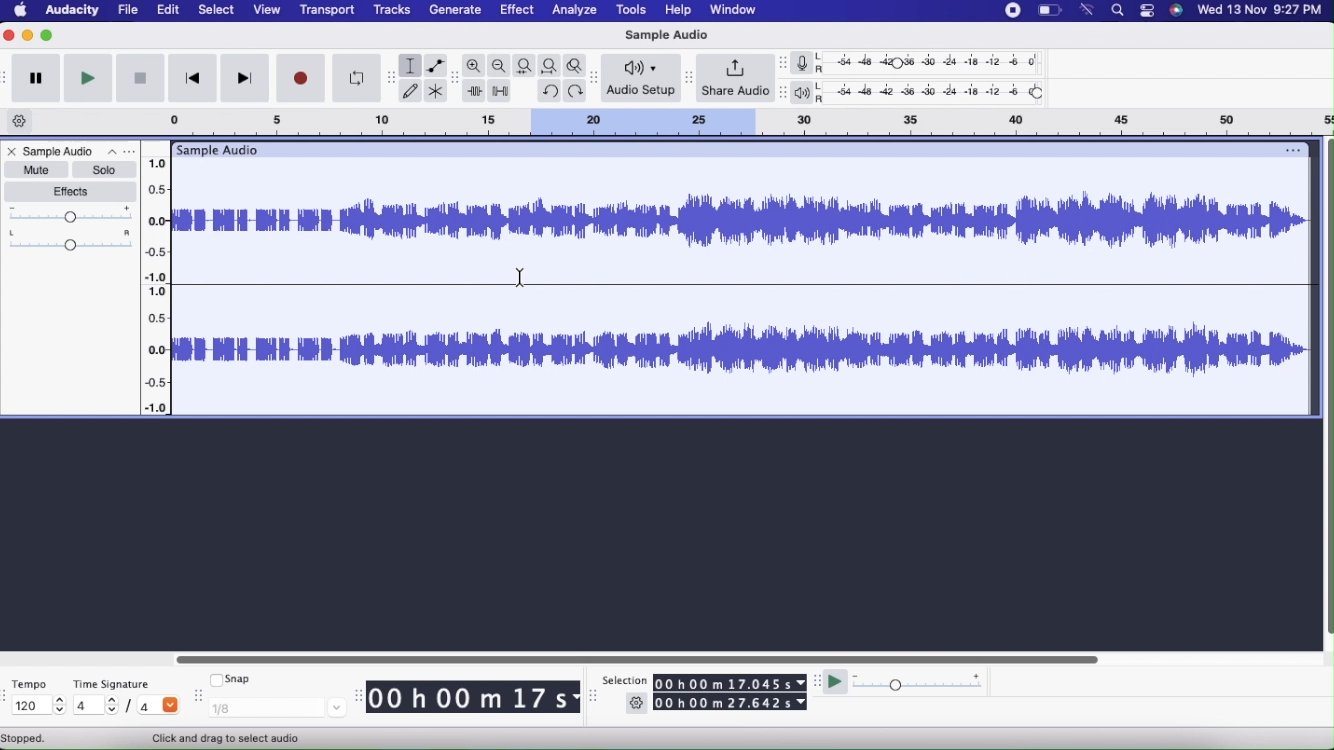 The width and height of the screenshot is (1334, 750). What do you see at coordinates (468, 698) in the screenshot?
I see `00 h 00 m 17 s` at bounding box center [468, 698].